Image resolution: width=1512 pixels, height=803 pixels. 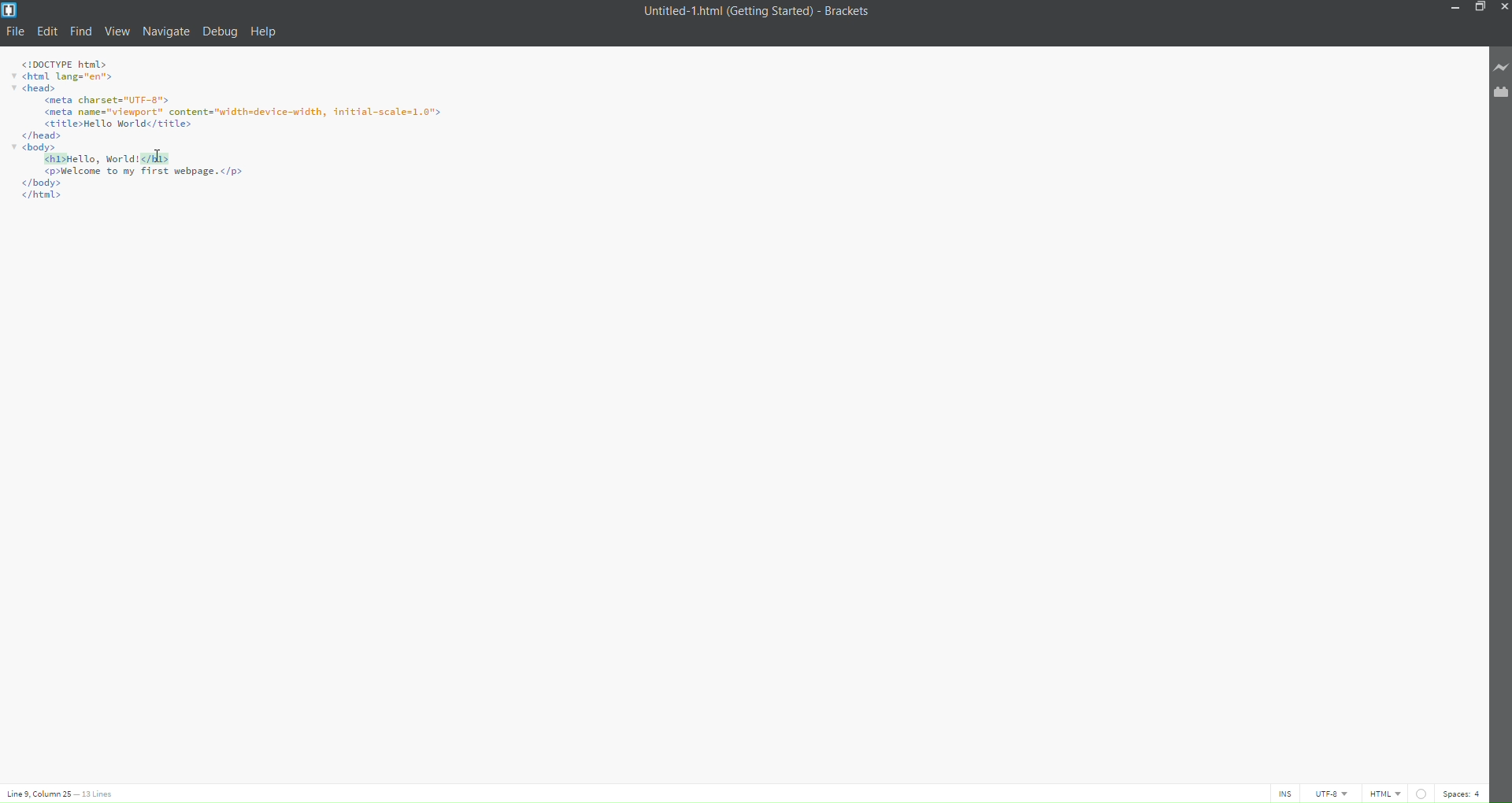 I want to click on Code, so click(x=146, y=189).